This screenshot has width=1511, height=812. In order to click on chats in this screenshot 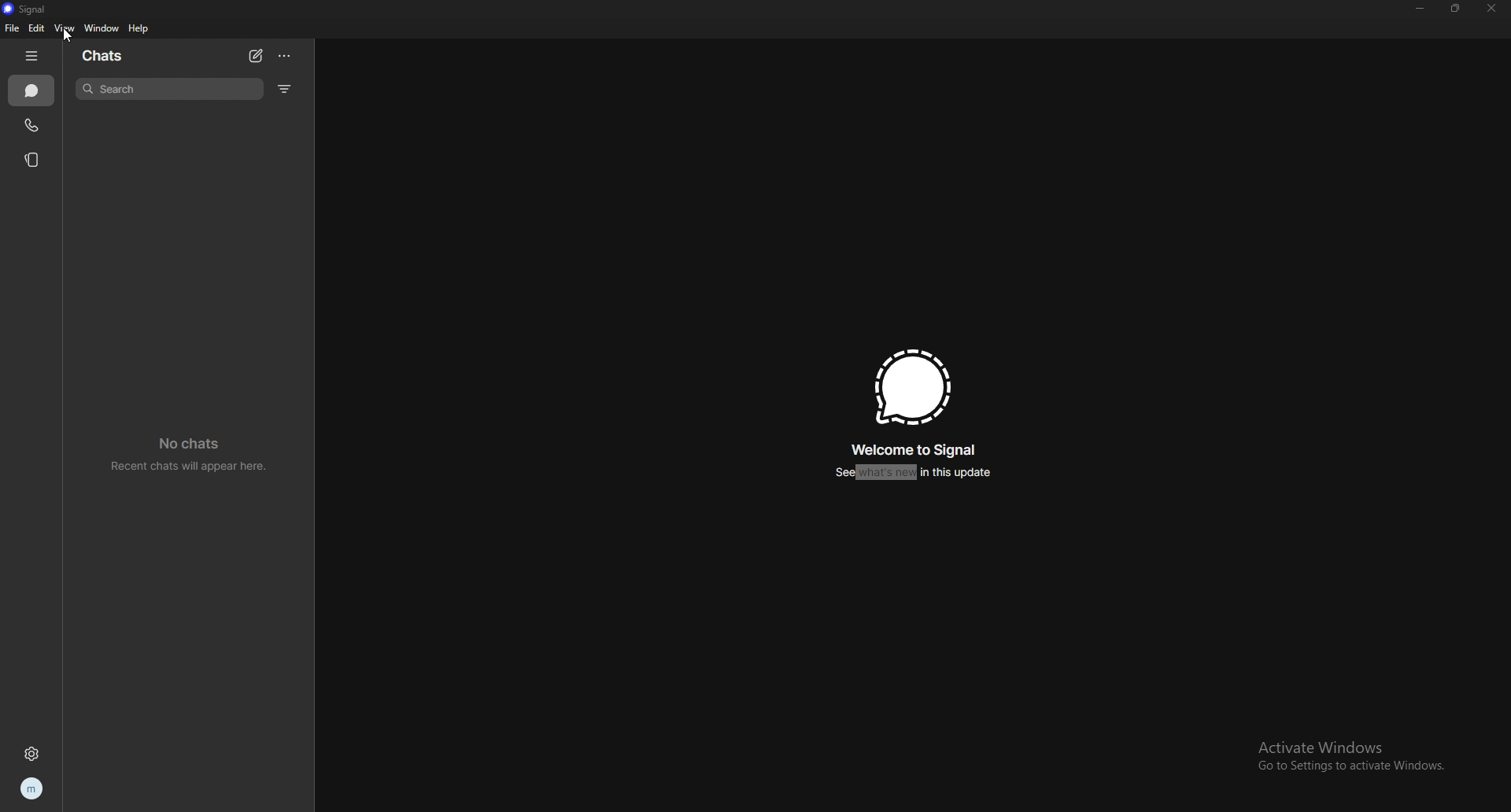, I will do `click(120, 56)`.